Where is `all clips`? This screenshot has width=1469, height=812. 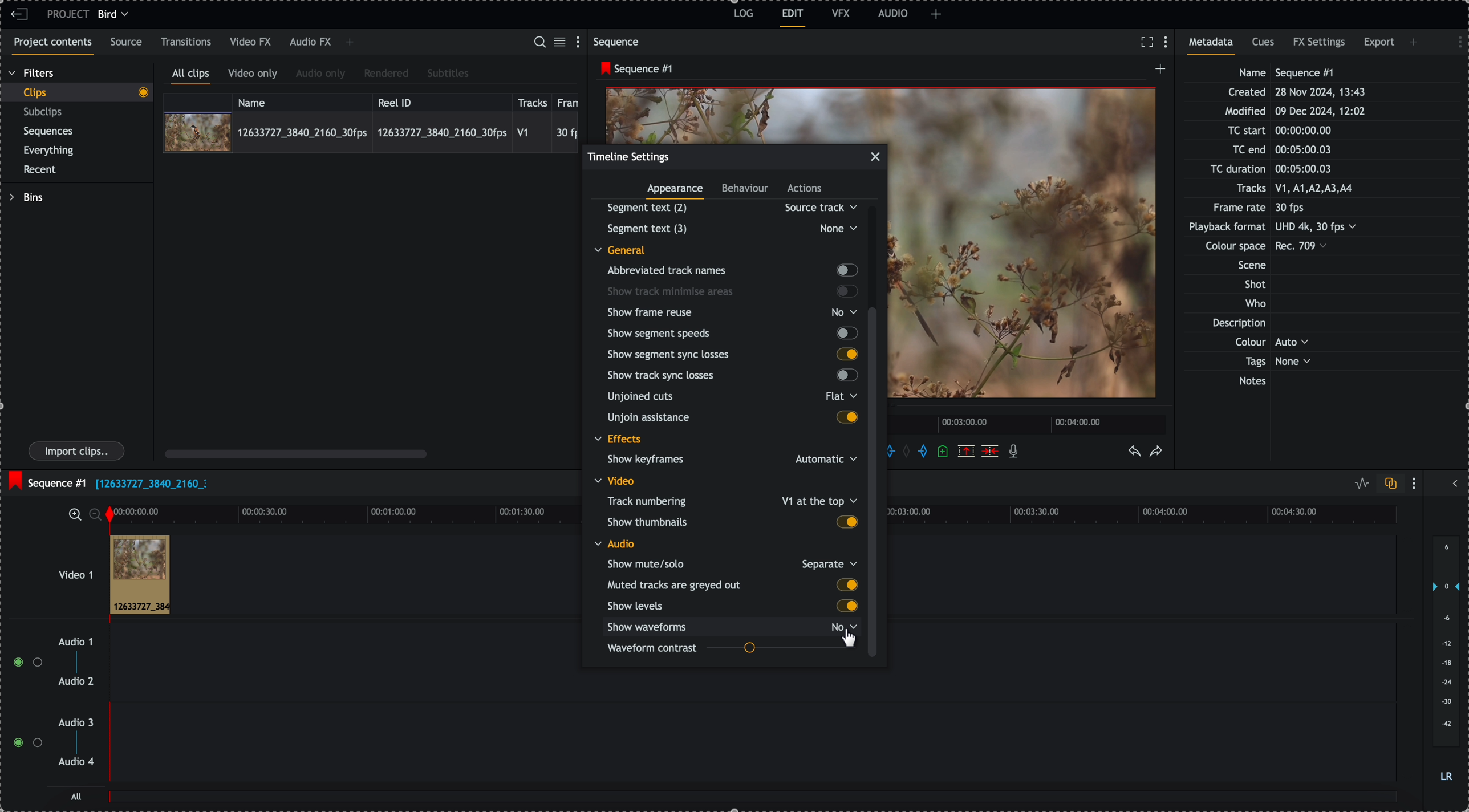 all clips is located at coordinates (191, 76).